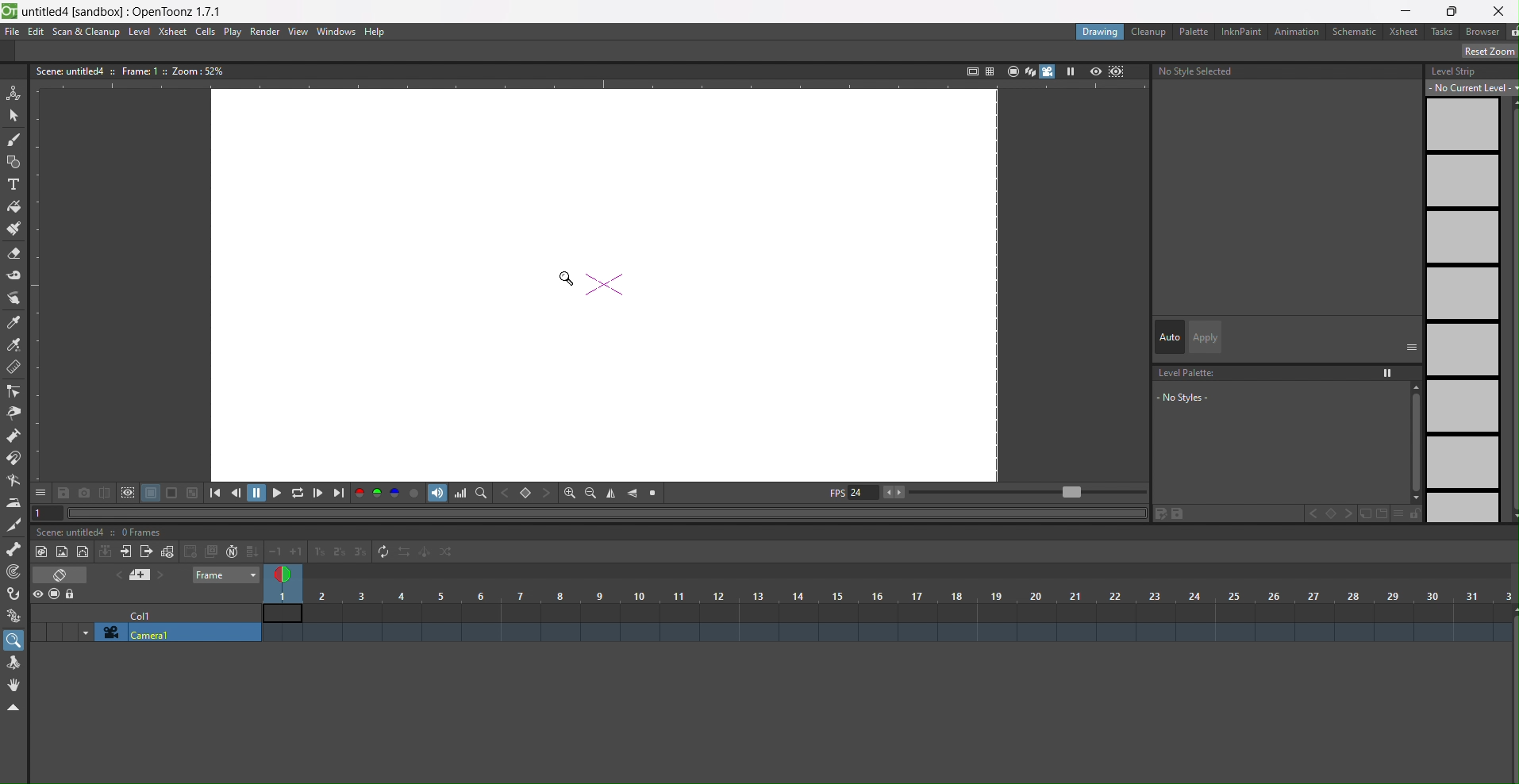 This screenshot has height=784, width=1519. Describe the element at coordinates (450, 551) in the screenshot. I see `` at that location.